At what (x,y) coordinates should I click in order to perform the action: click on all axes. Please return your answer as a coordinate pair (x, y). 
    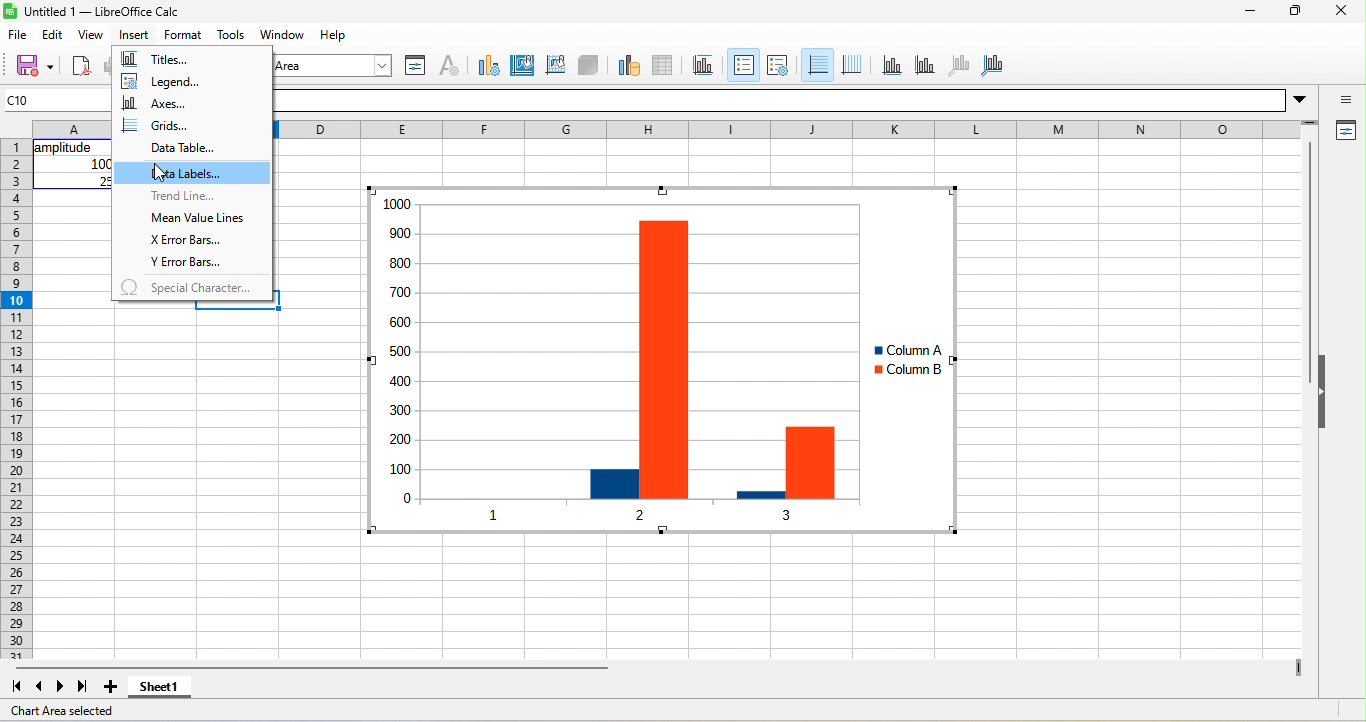
    Looking at the image, I should click on (993, 63).